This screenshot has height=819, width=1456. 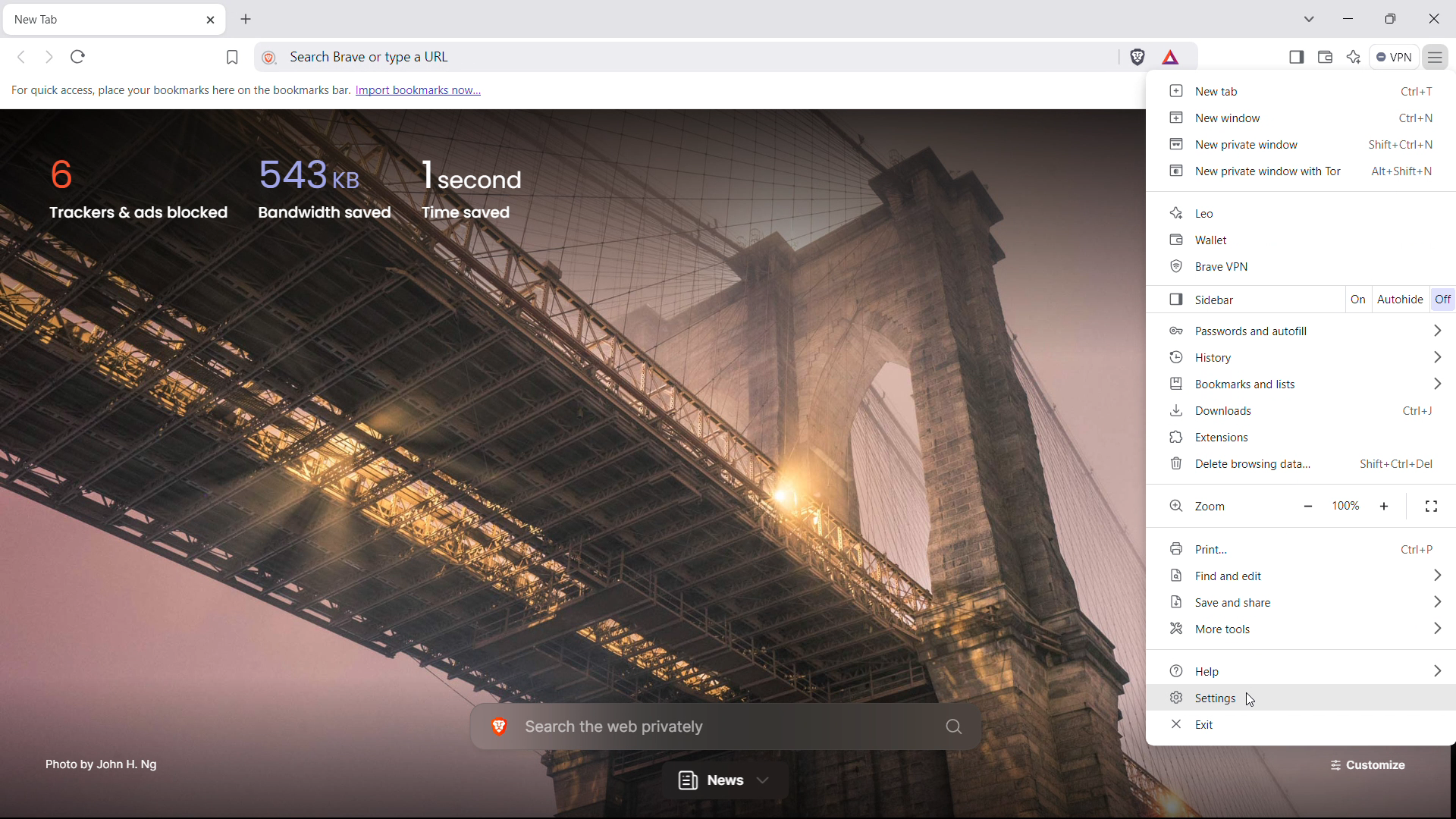 What do you see at coordinates (725, 780) in the screenshot?
I see `news` at bounding box center [725, 780].